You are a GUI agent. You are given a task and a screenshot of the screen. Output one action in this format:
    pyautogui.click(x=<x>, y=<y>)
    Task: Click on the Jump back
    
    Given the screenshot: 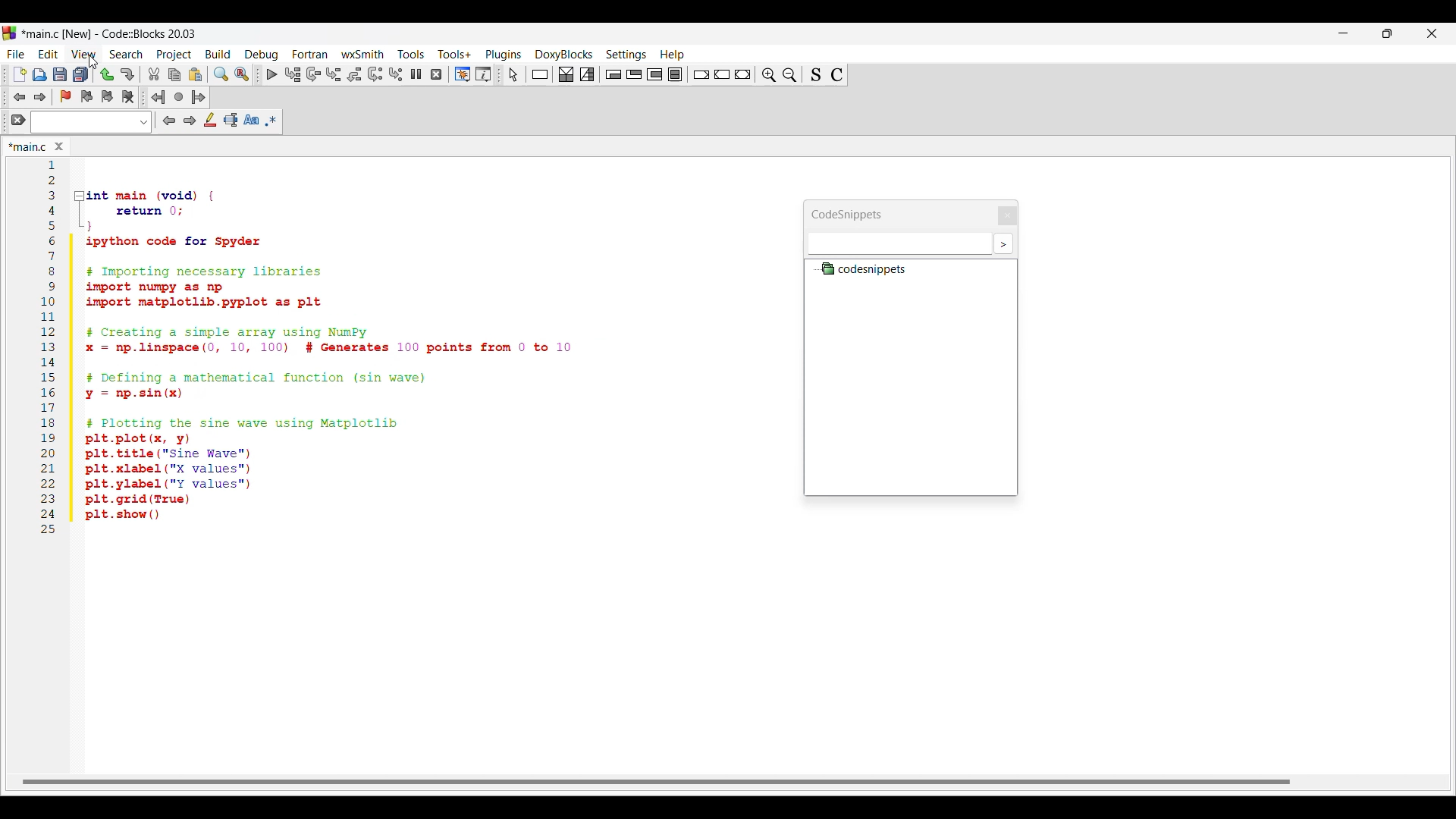 What is the action you would take?
    pyautogui.click(x=158, y=97)
    